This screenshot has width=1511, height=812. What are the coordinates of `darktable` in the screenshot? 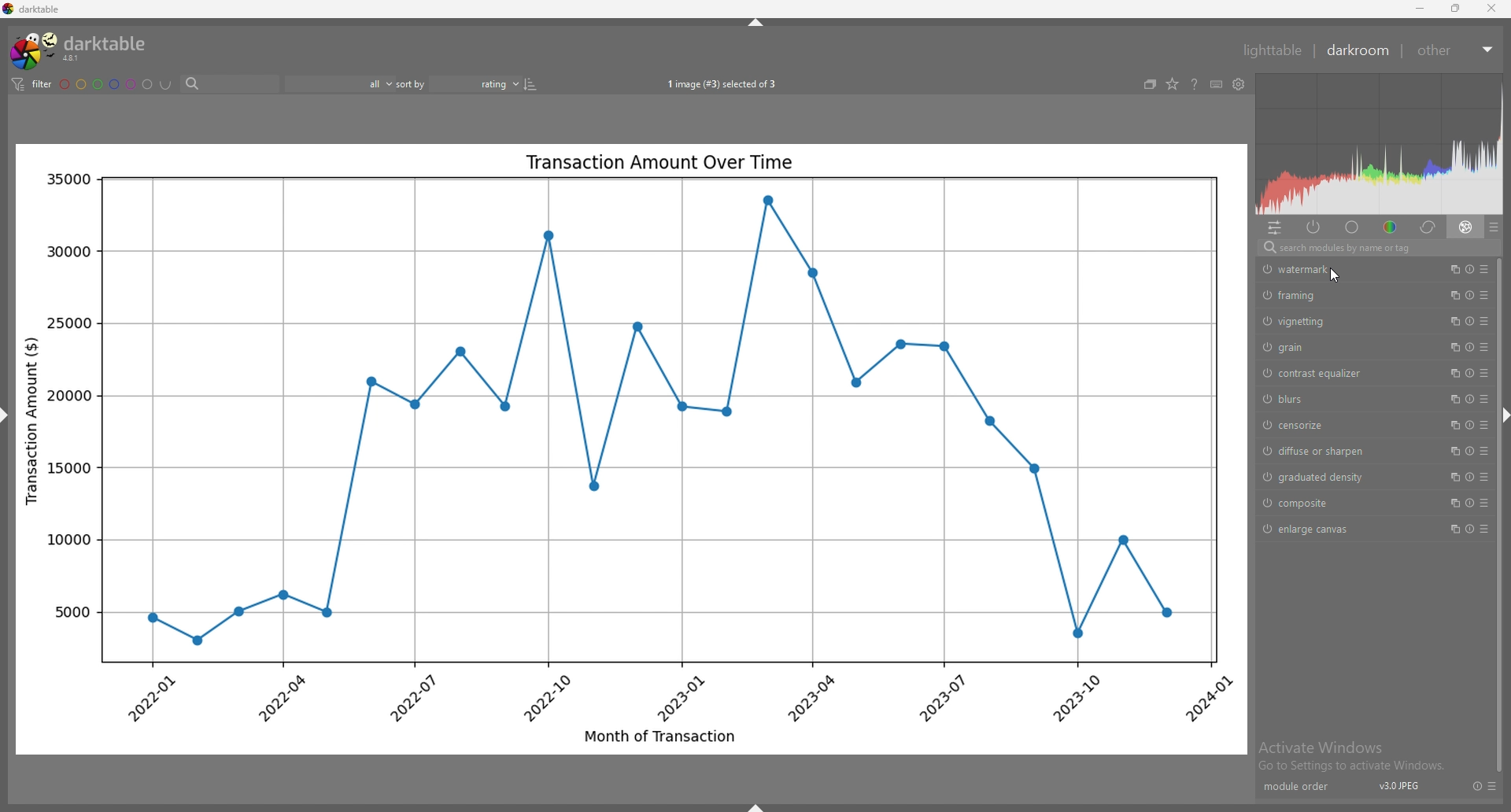 It's located at (79, 50).